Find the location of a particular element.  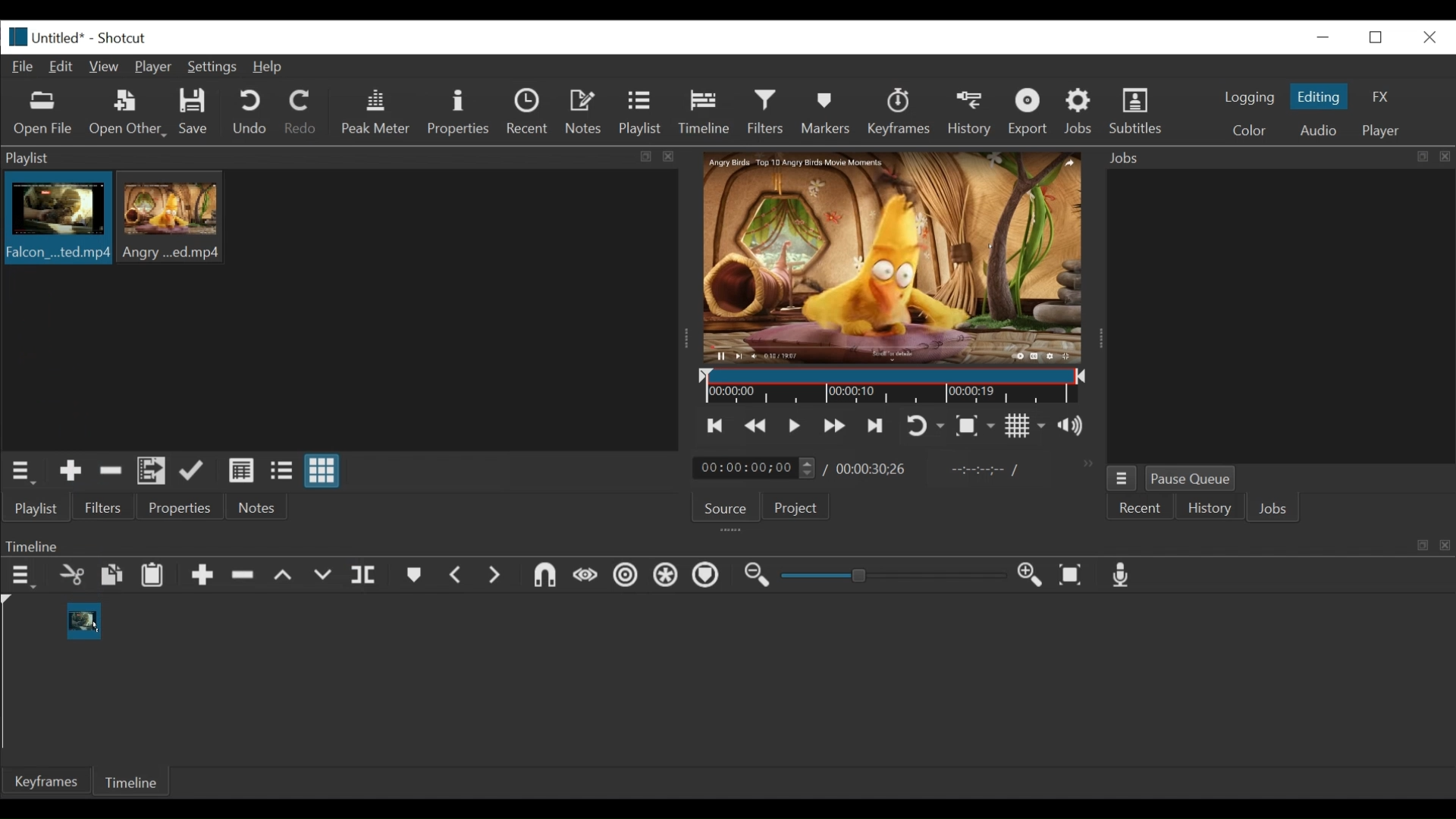

overwrite is located at coordinates (325, 576).